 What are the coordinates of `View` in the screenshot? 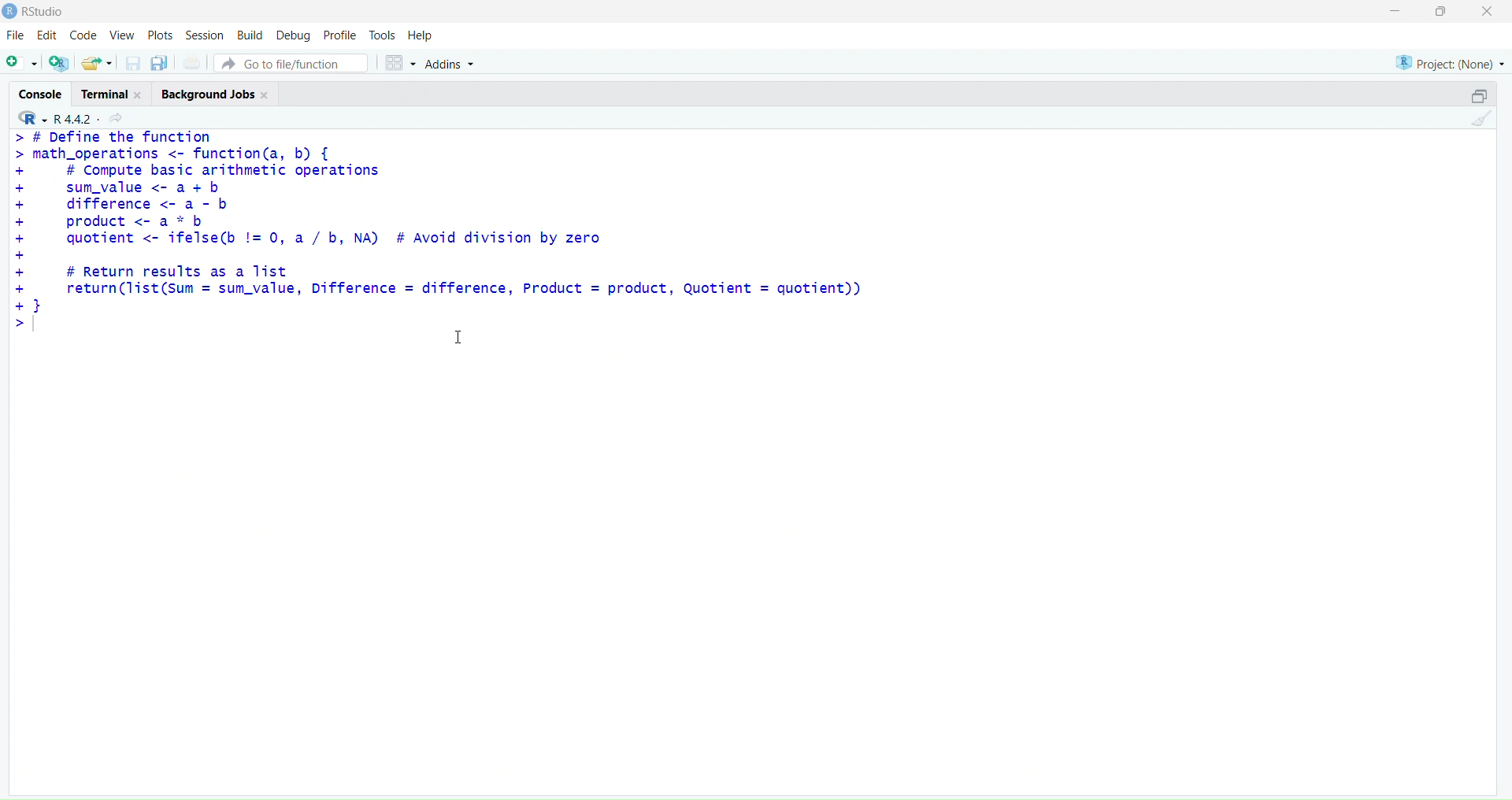 It's located at (122, 35).